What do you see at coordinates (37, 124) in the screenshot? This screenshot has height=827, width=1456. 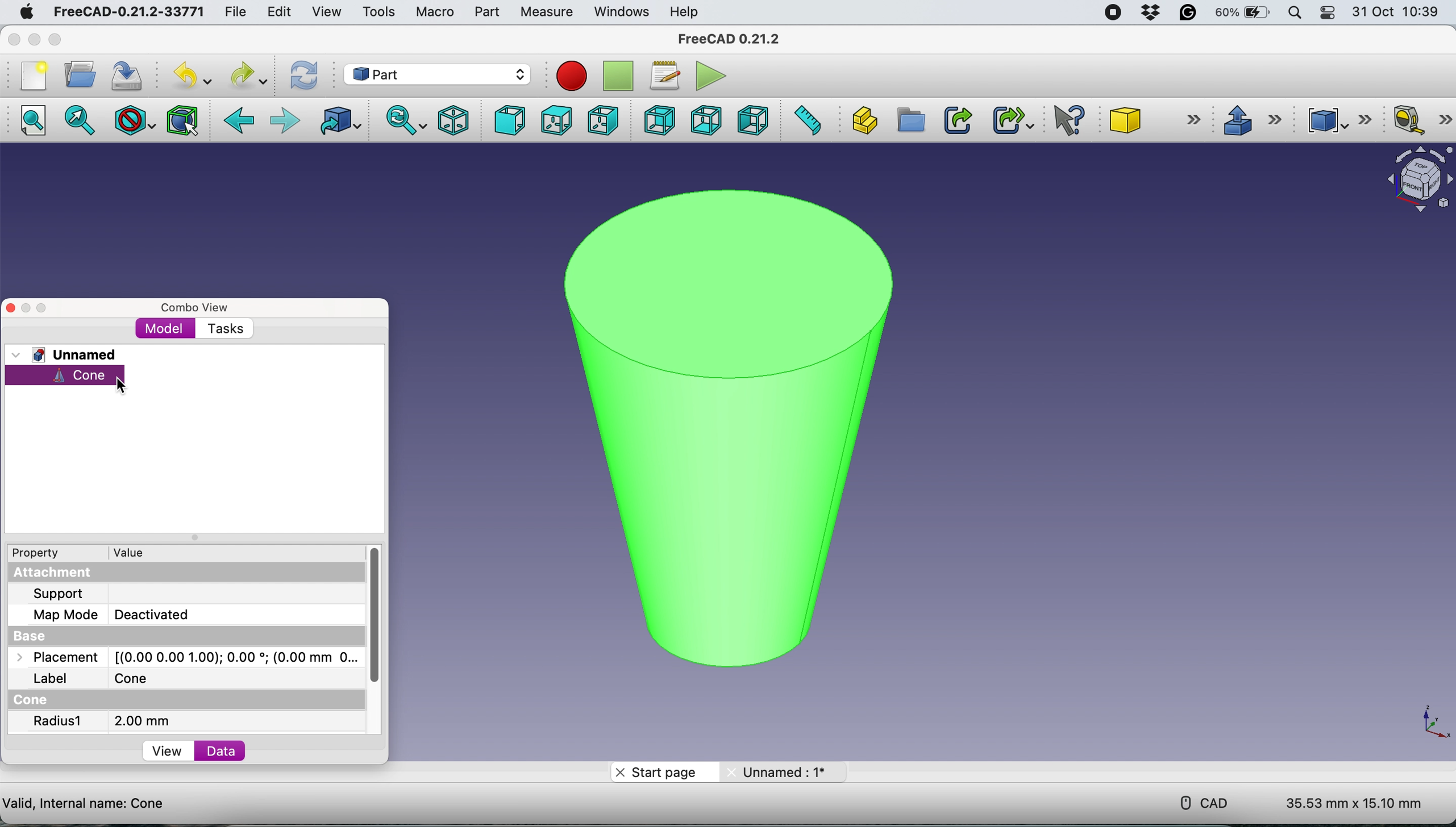 I see `fit all` at bounding box center [37, 124].